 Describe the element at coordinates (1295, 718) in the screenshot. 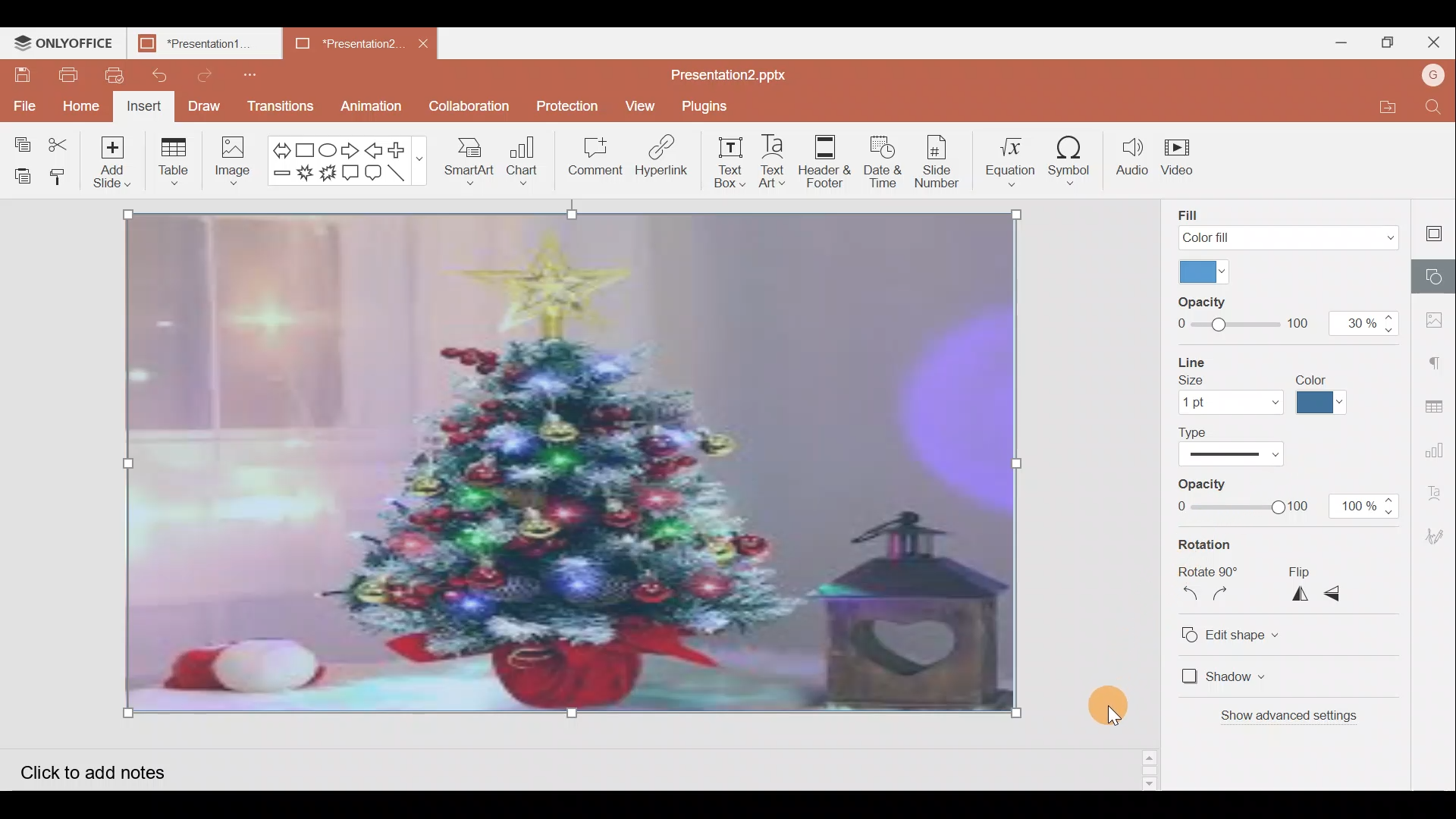

I see `Show advanced settings` at that location.